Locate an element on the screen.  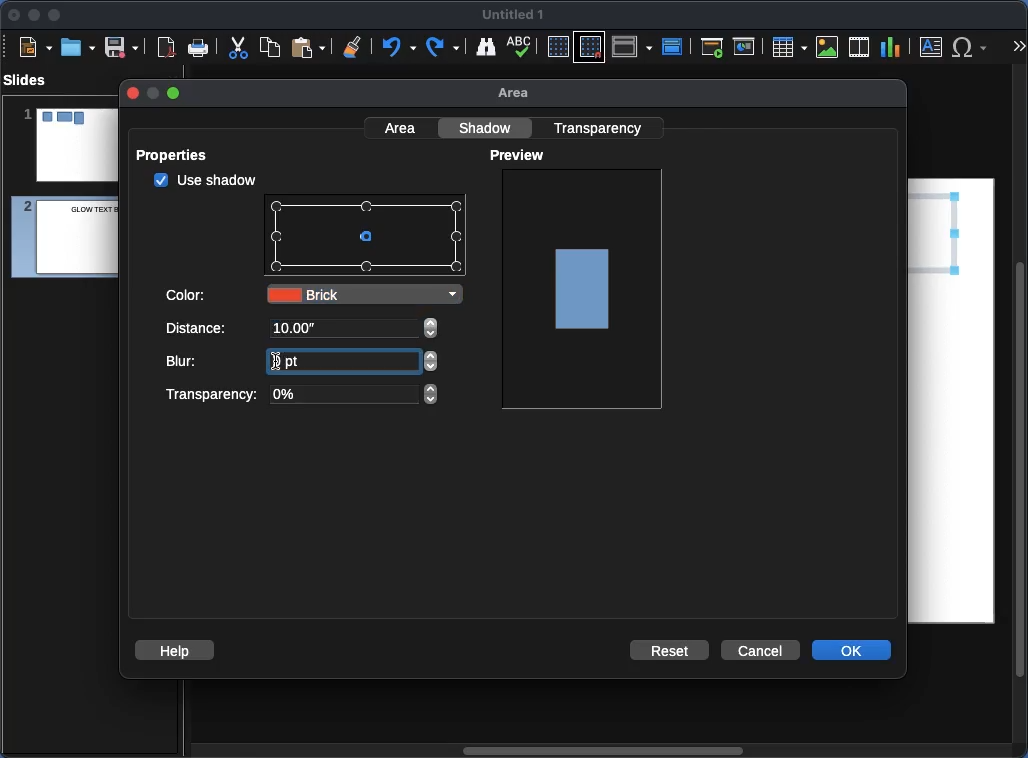
More is located at coordinates (1018, 48).